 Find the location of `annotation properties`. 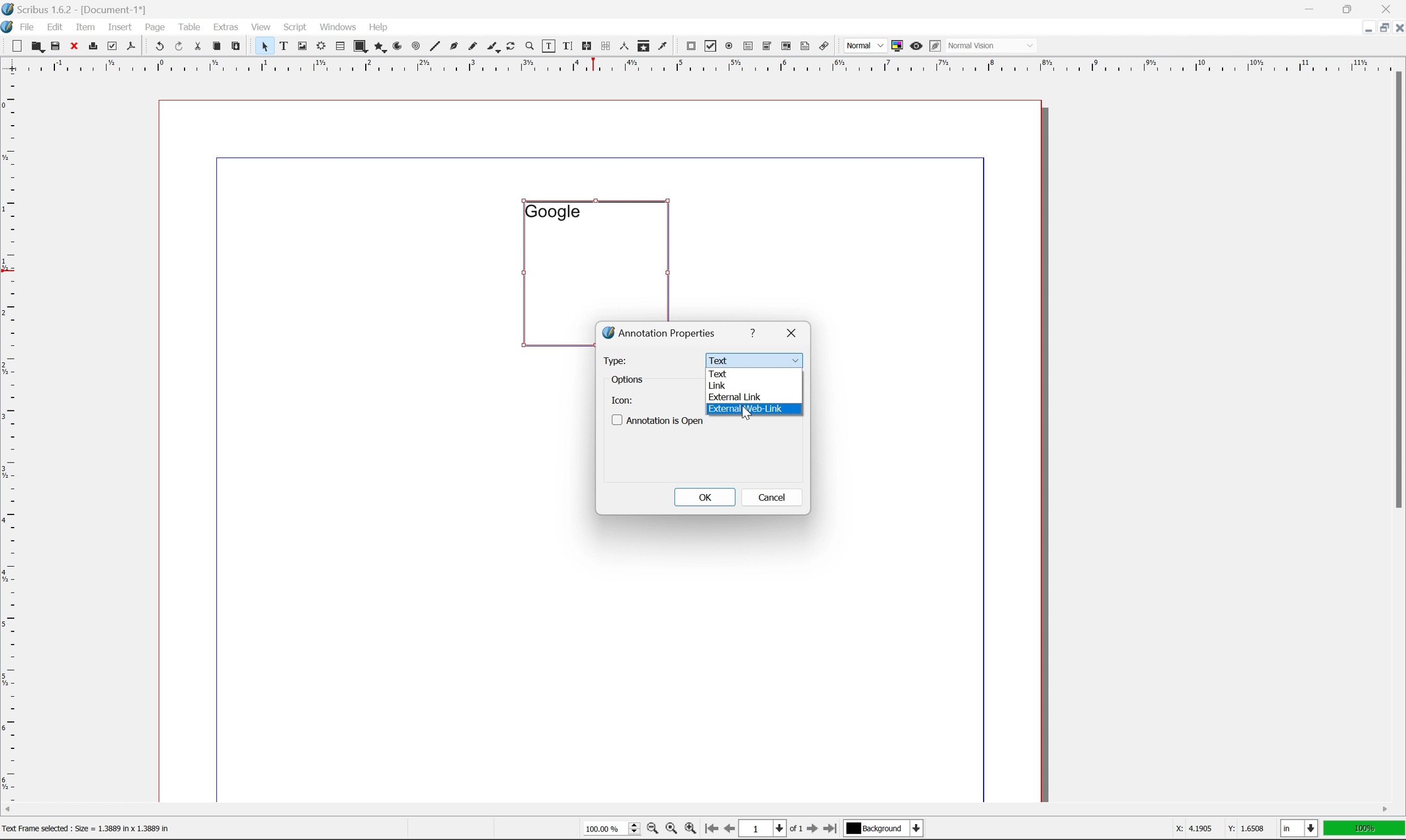

annotation properties is located at coordinates (660, 332).